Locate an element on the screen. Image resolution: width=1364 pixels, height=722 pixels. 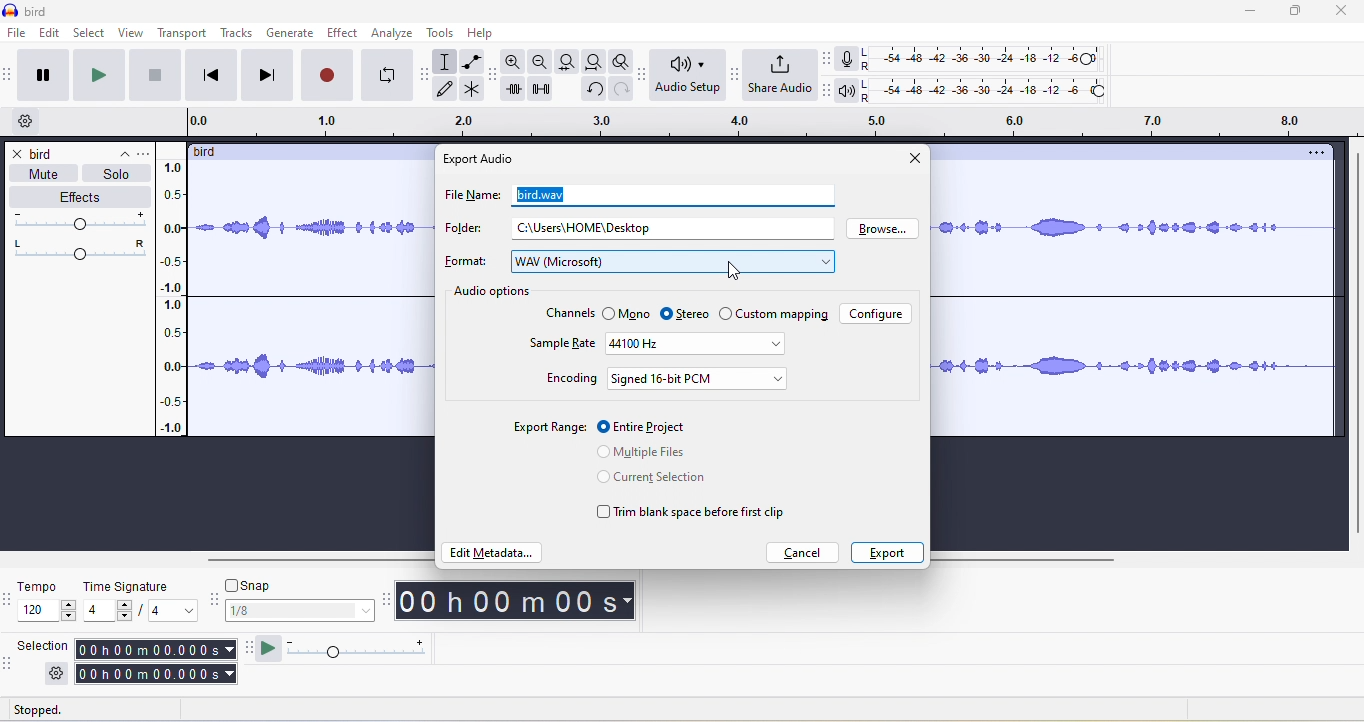
minimize is located at coordinates (1260, 15).